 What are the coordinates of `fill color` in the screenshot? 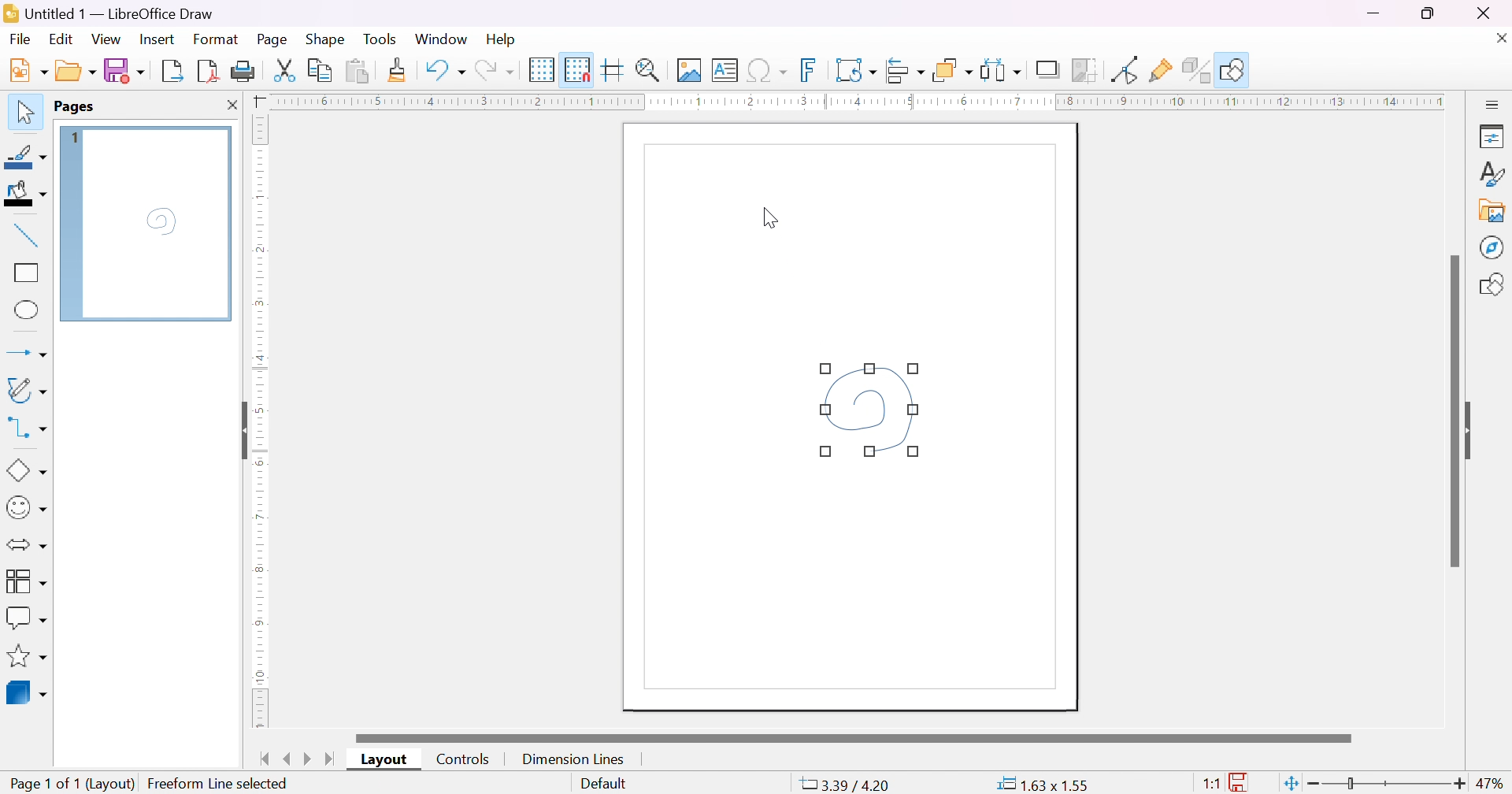 It's located at (24, 192).